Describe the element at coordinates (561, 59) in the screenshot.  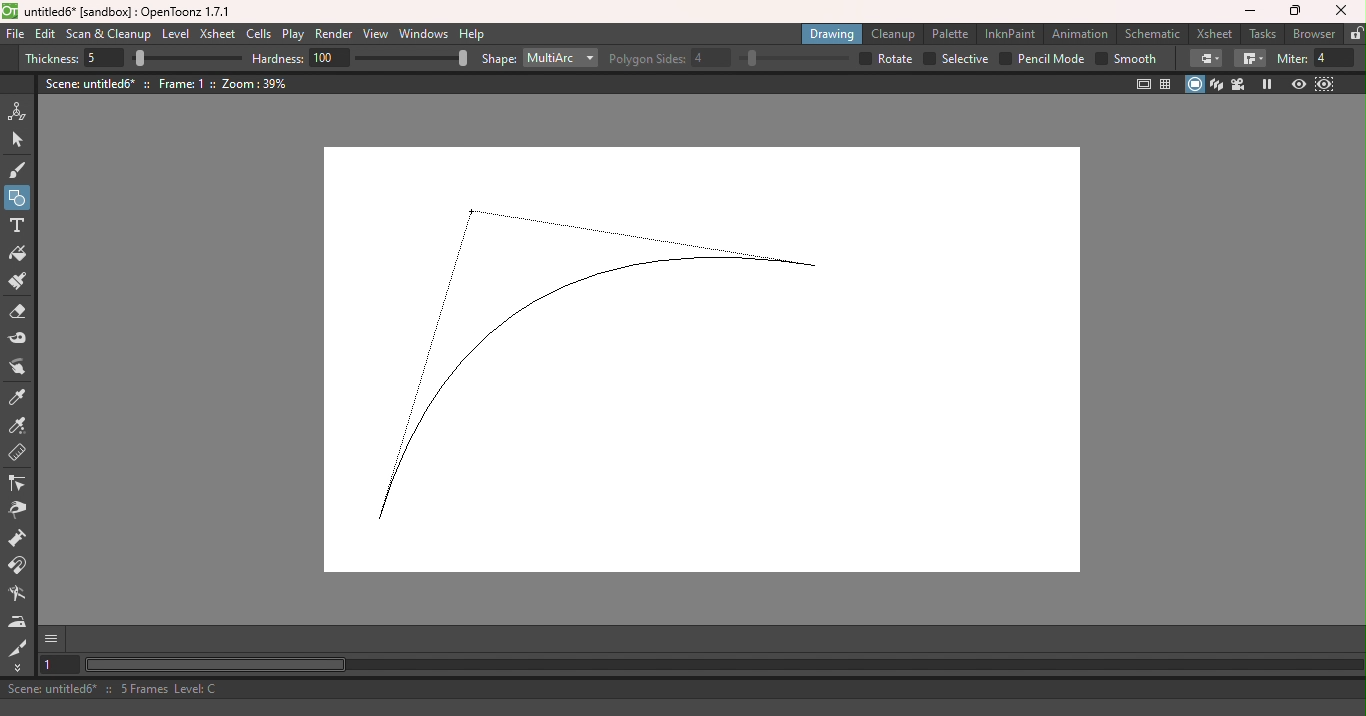
I see `Multiarc` at that location.